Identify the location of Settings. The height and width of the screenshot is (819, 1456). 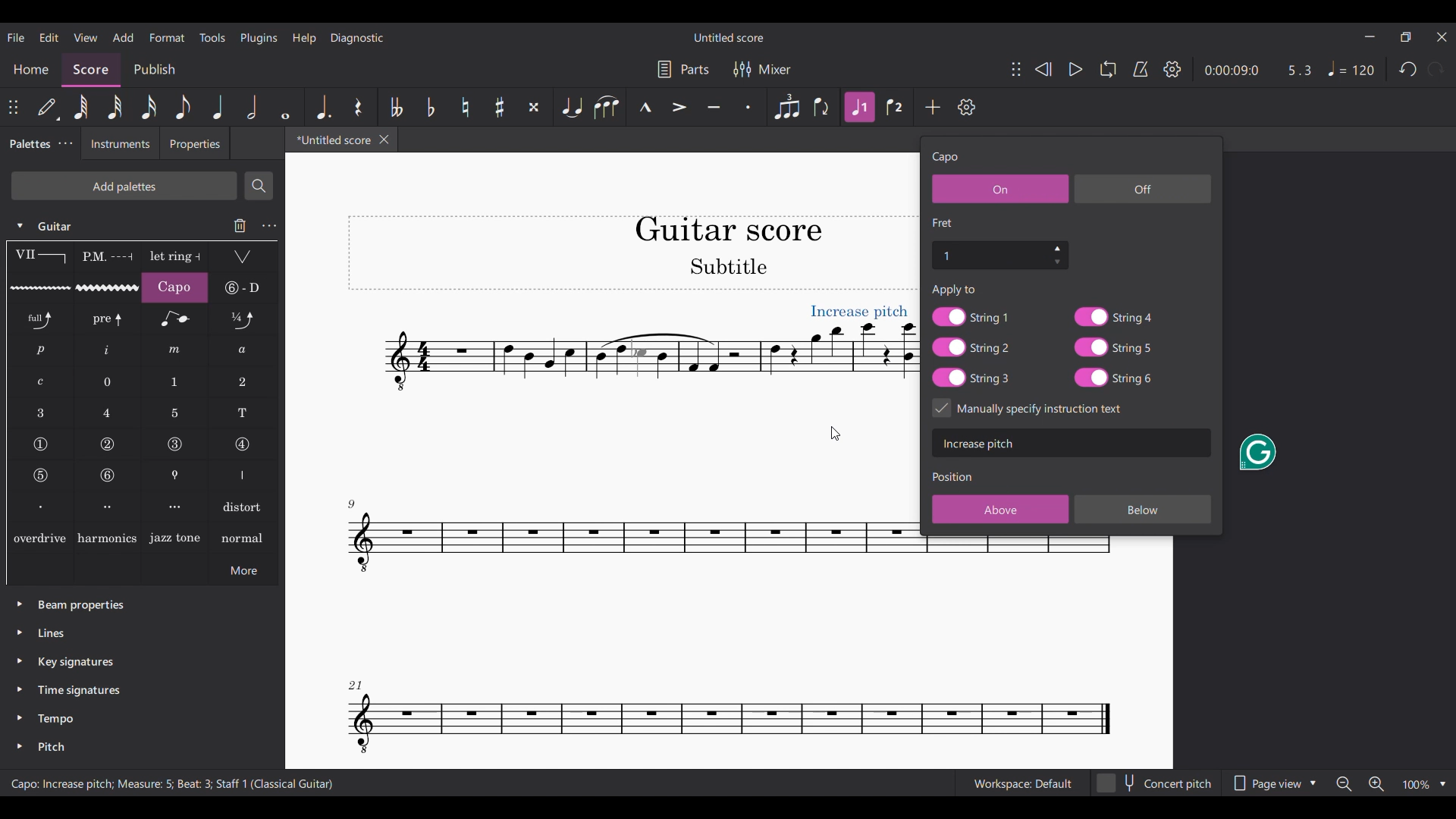
(1172, 69).